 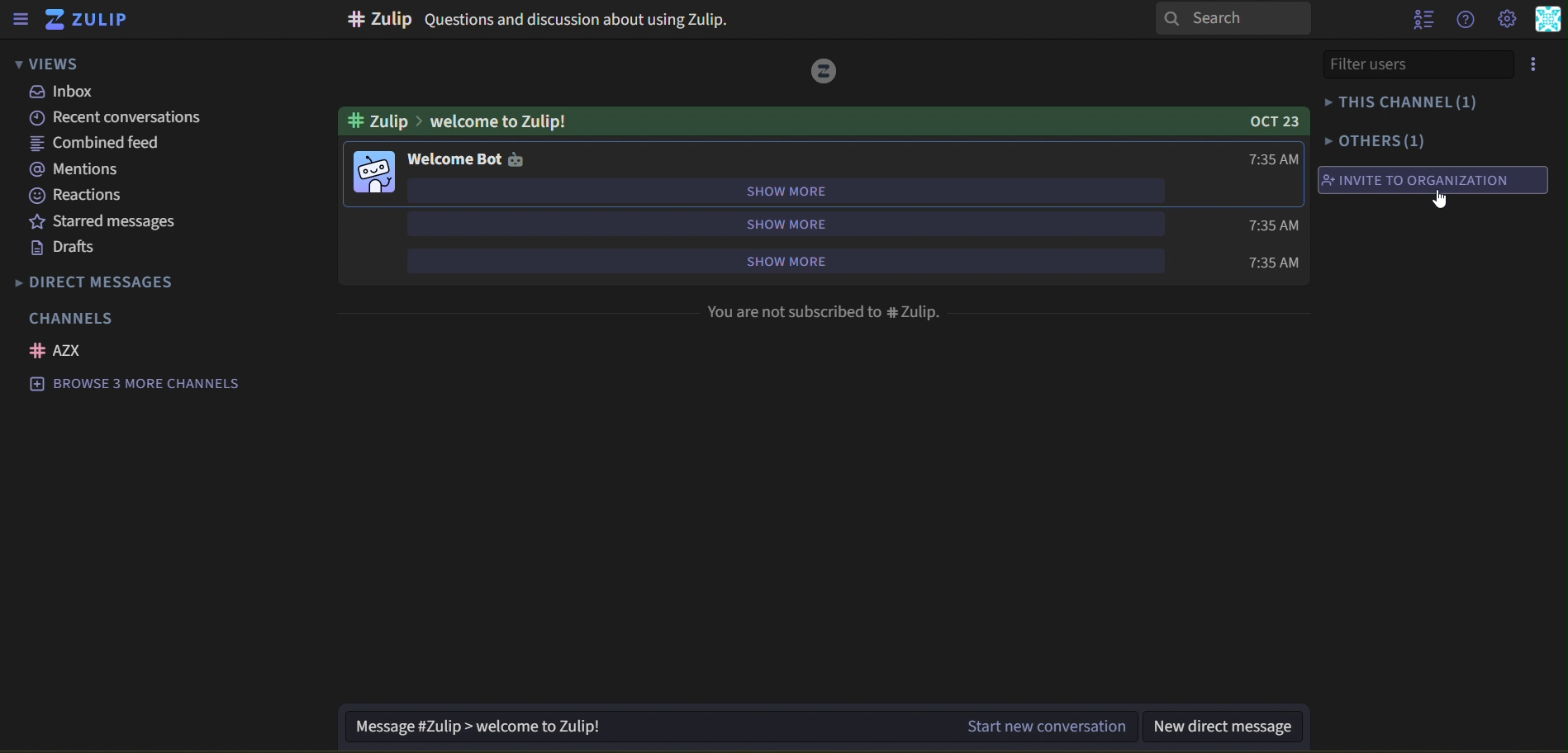 I want to click on show more, so click(x=781, y=223).